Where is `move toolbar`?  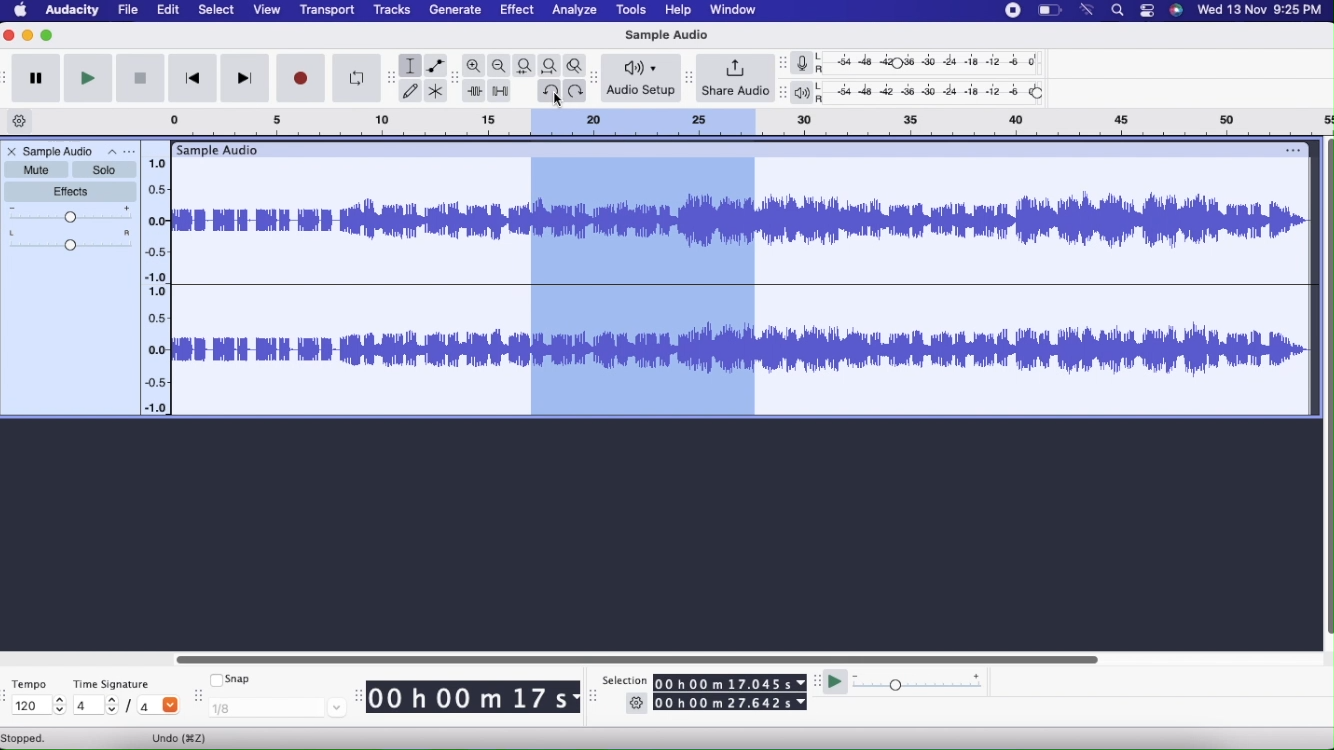 move toolbar is located at coordinates (817, 680).